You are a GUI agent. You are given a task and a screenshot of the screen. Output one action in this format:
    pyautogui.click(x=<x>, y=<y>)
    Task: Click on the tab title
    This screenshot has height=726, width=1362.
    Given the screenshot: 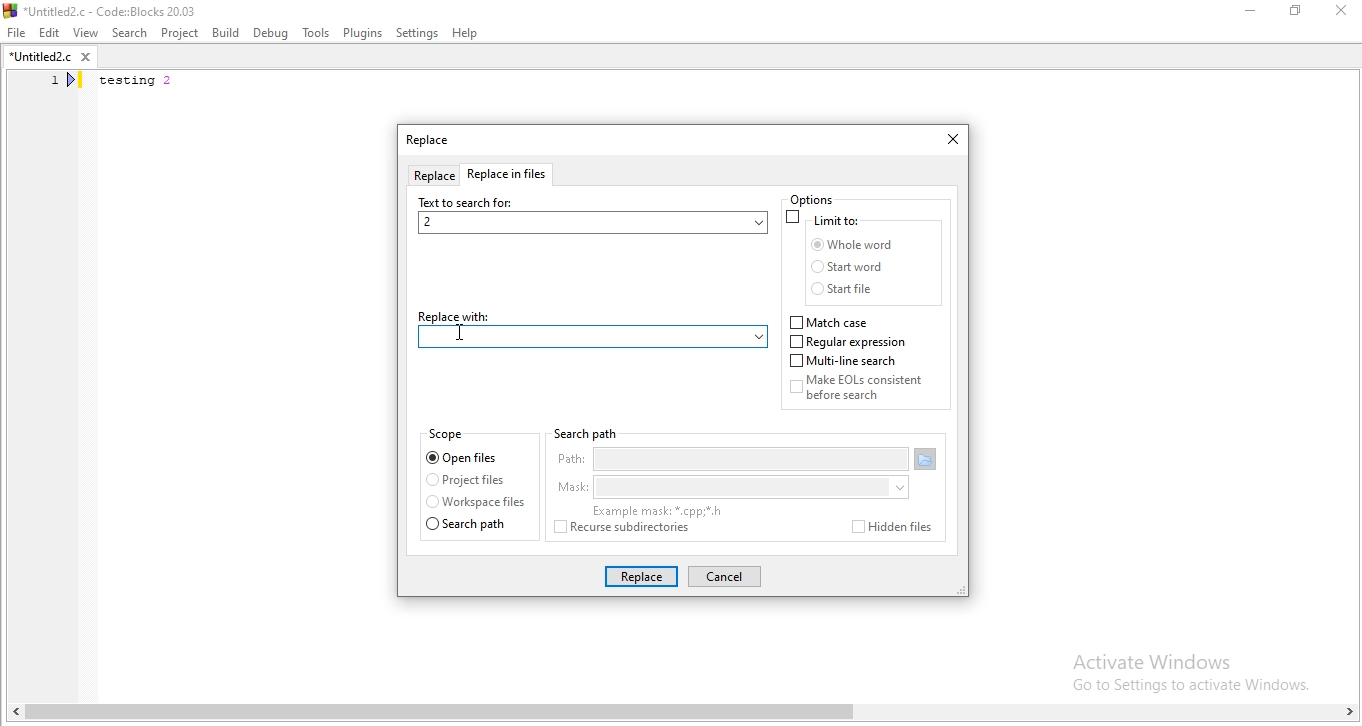 What is the action you would take?
    pyautogui.click(x=428, y=142)
    